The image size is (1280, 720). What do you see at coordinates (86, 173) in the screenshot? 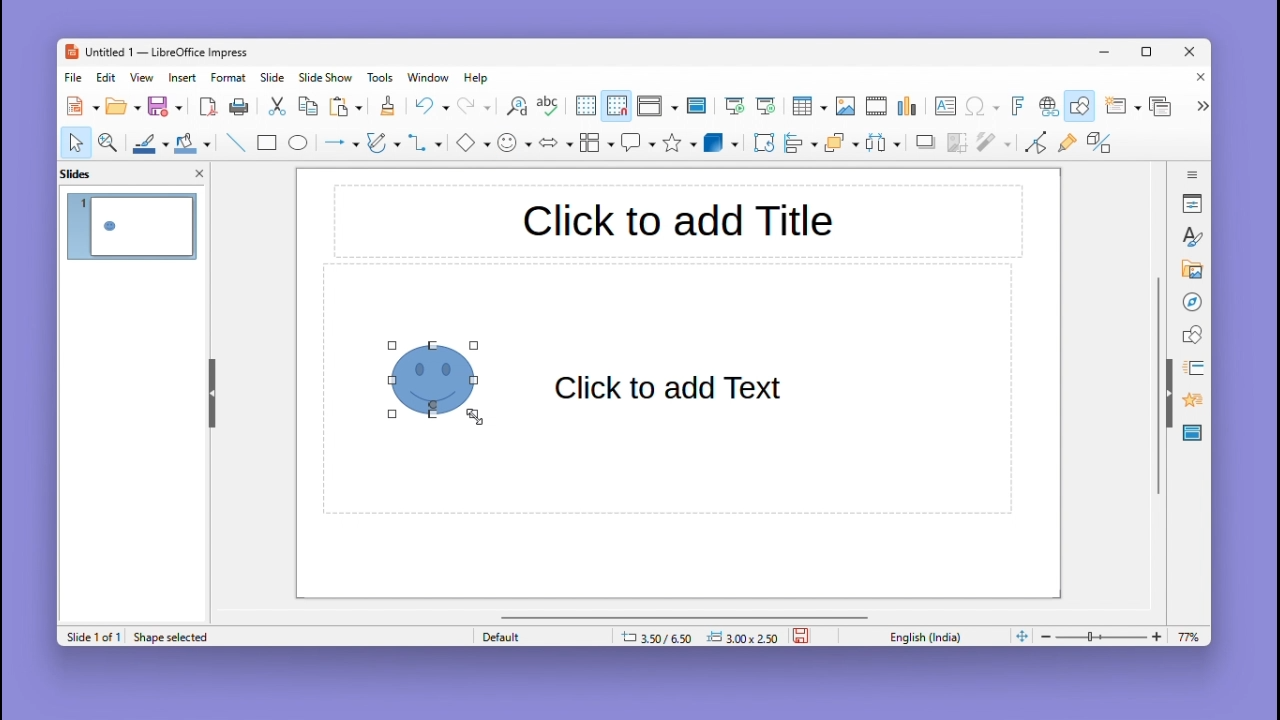
I see `Slides` at bounding box center [86, 173].